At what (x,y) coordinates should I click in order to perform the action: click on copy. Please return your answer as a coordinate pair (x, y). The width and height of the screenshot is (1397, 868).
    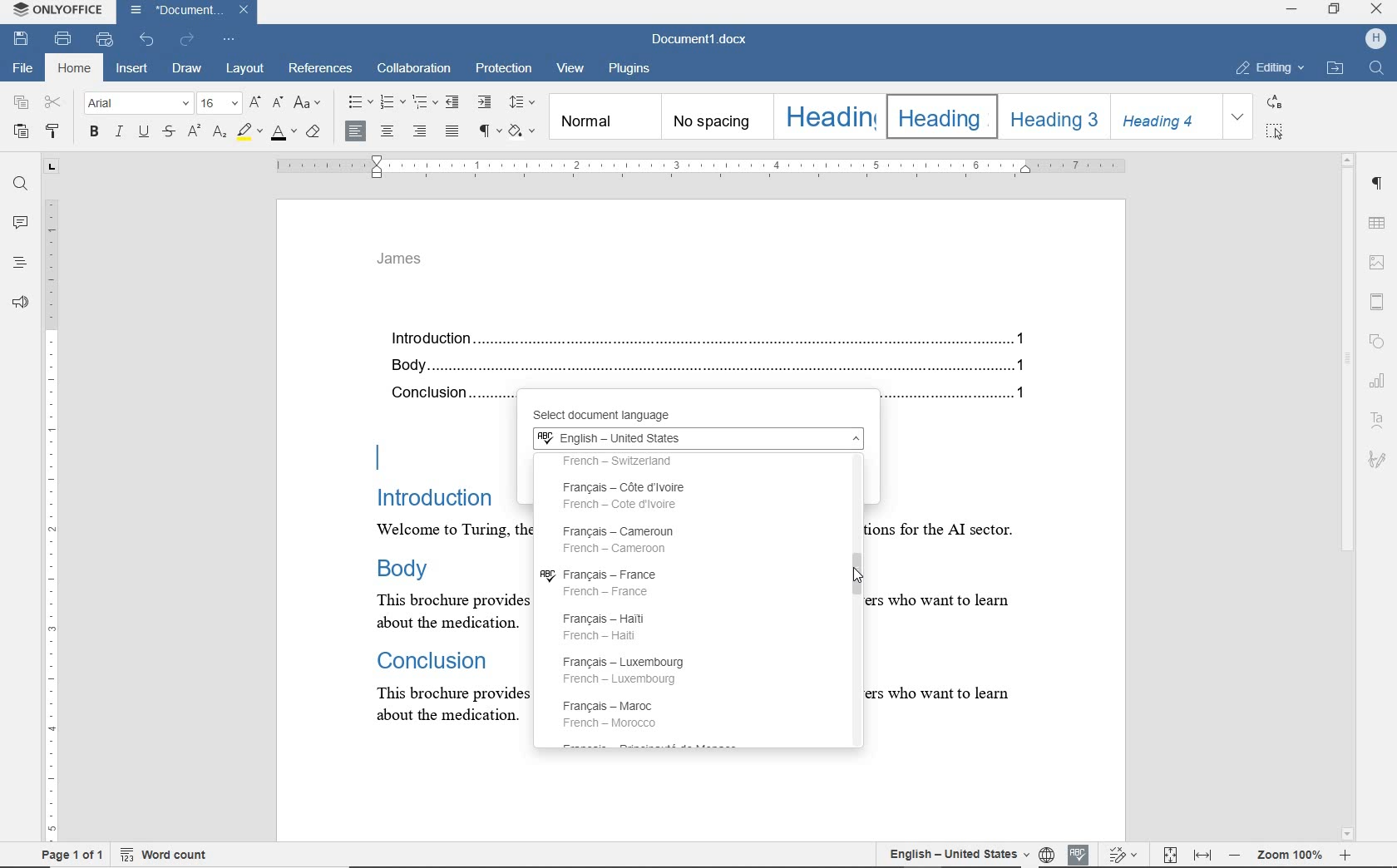
    Looking at the image, I should click on (22, 103).